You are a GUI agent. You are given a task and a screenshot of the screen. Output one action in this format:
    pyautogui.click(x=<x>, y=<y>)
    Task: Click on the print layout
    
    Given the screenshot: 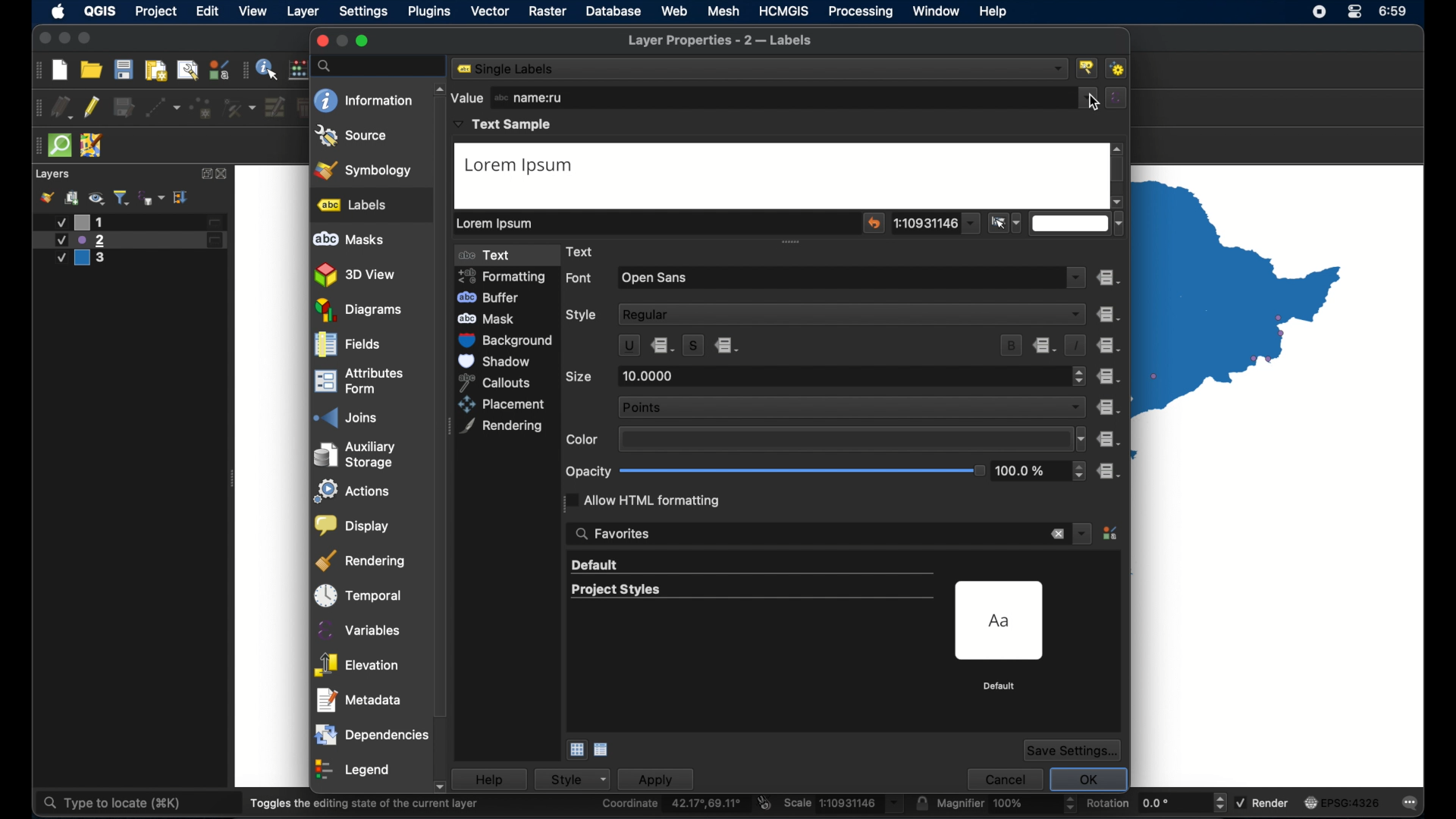 What is the action you would take?
    pyautogui.click(x=156, y=71)
    